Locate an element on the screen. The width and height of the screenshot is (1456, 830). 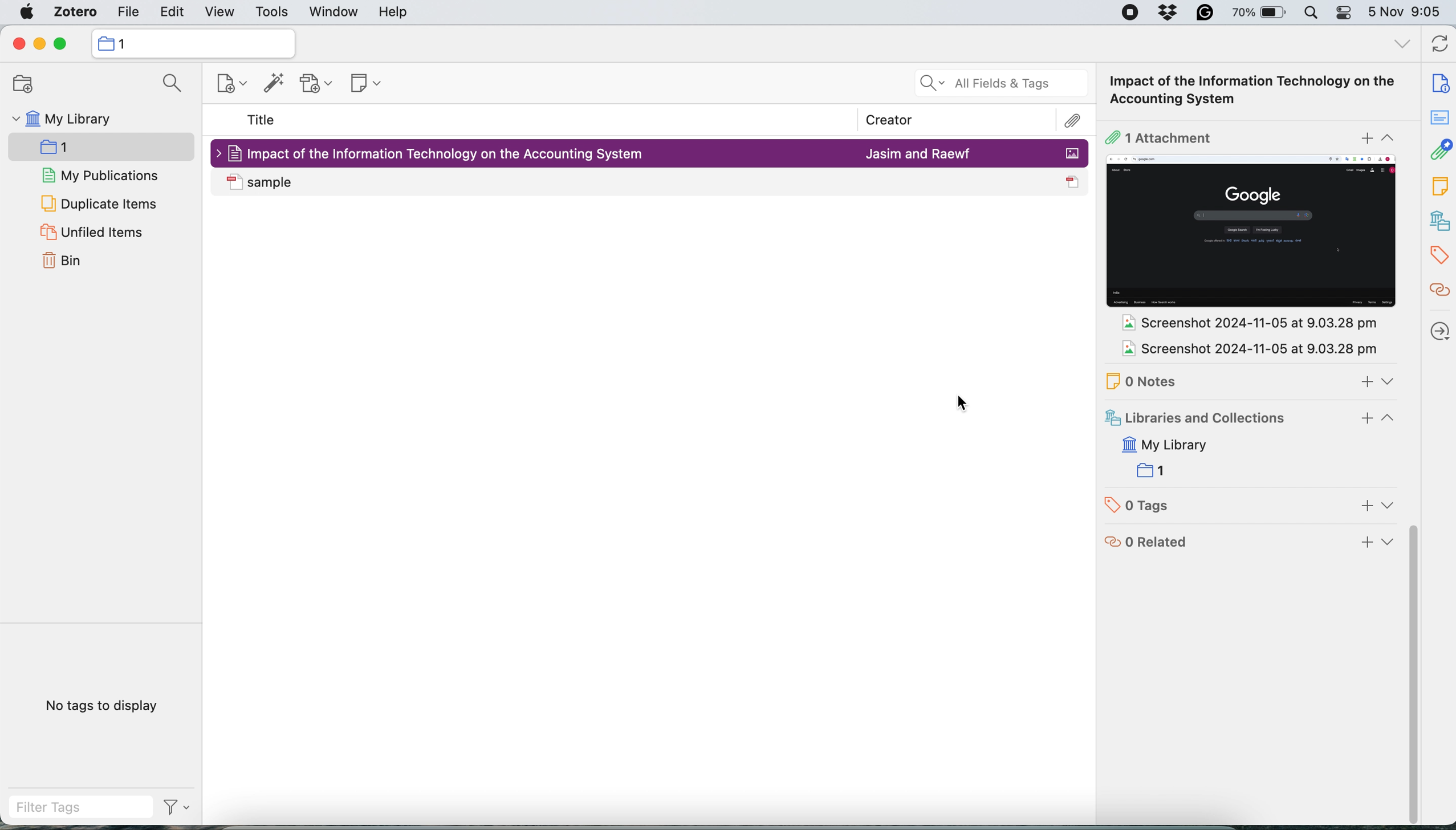
sample is located at coordinates (651, 182).